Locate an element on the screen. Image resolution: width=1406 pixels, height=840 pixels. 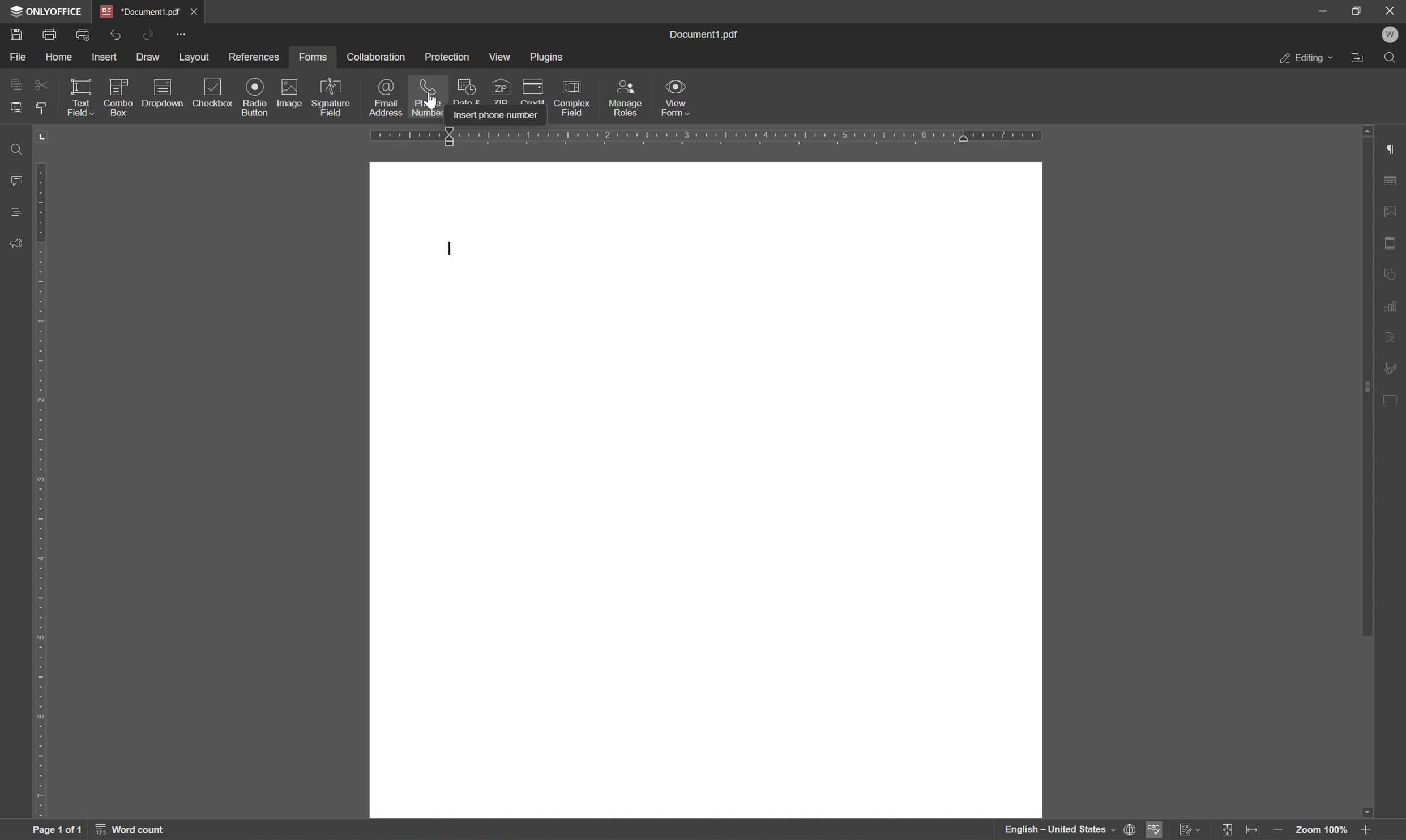
table settings is located at coordinates (1394, 179).